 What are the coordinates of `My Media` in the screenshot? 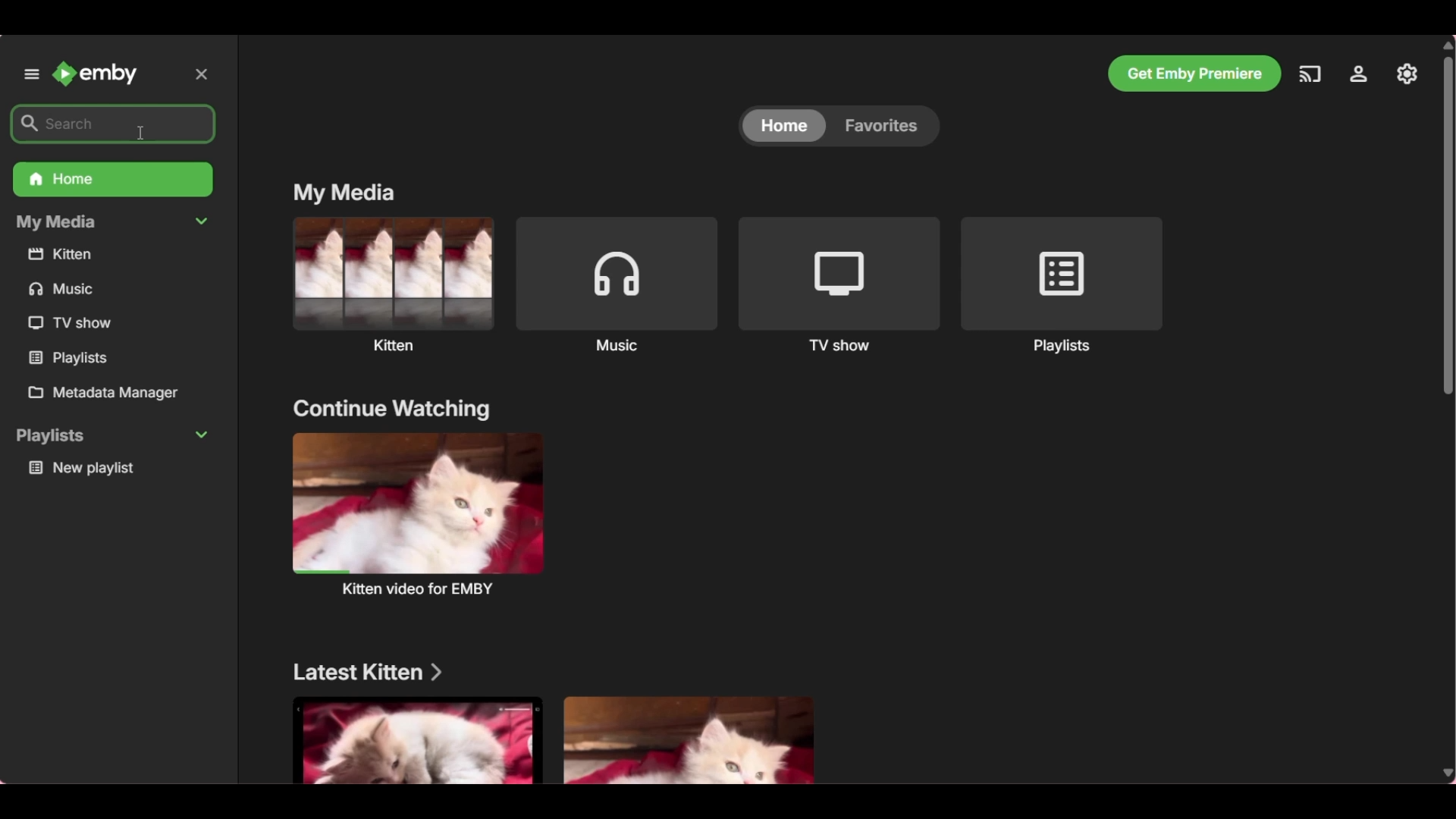 It's located at (111, 223).